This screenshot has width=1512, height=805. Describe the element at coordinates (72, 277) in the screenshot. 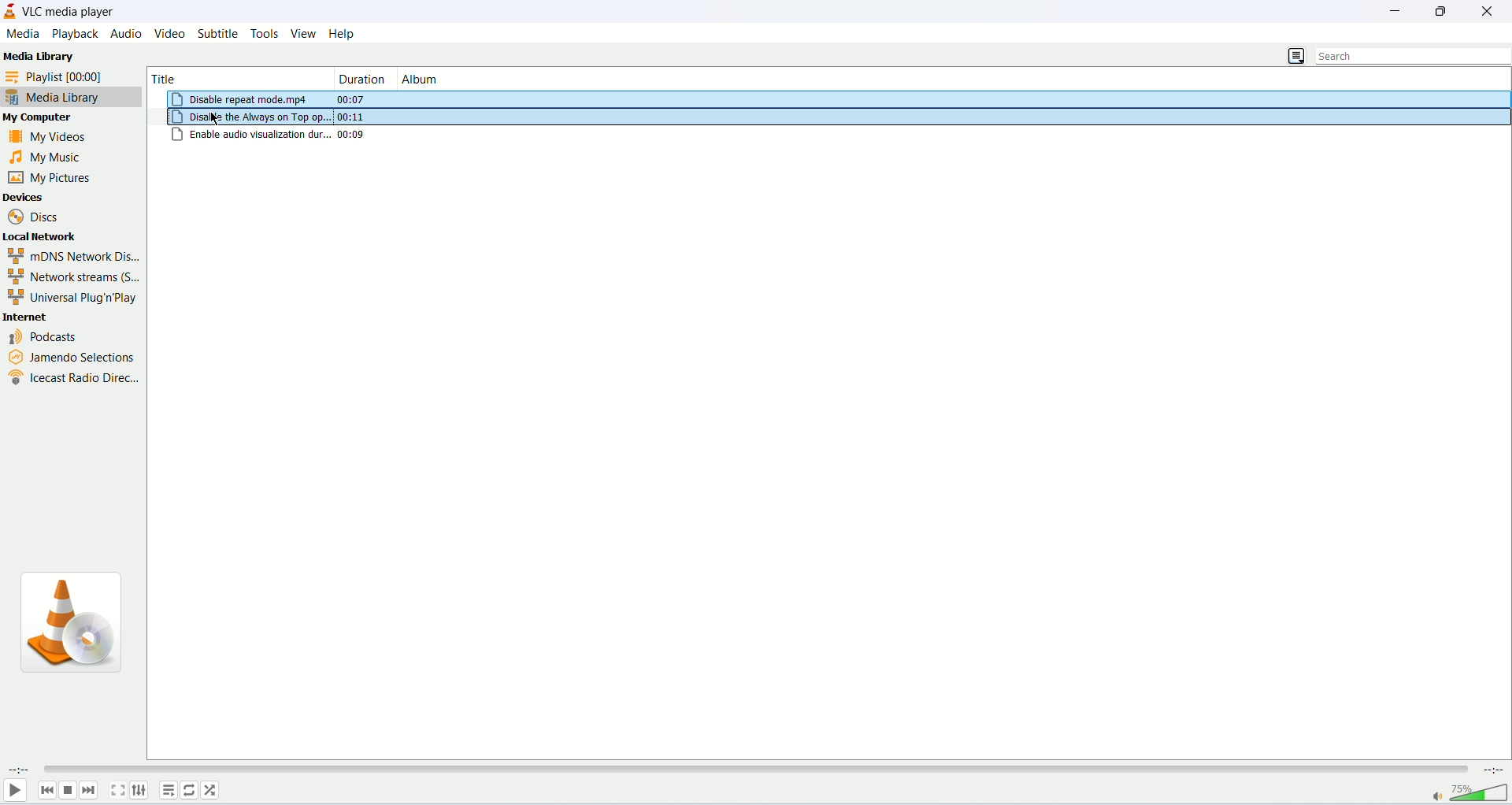

I see `network streams` at that location.